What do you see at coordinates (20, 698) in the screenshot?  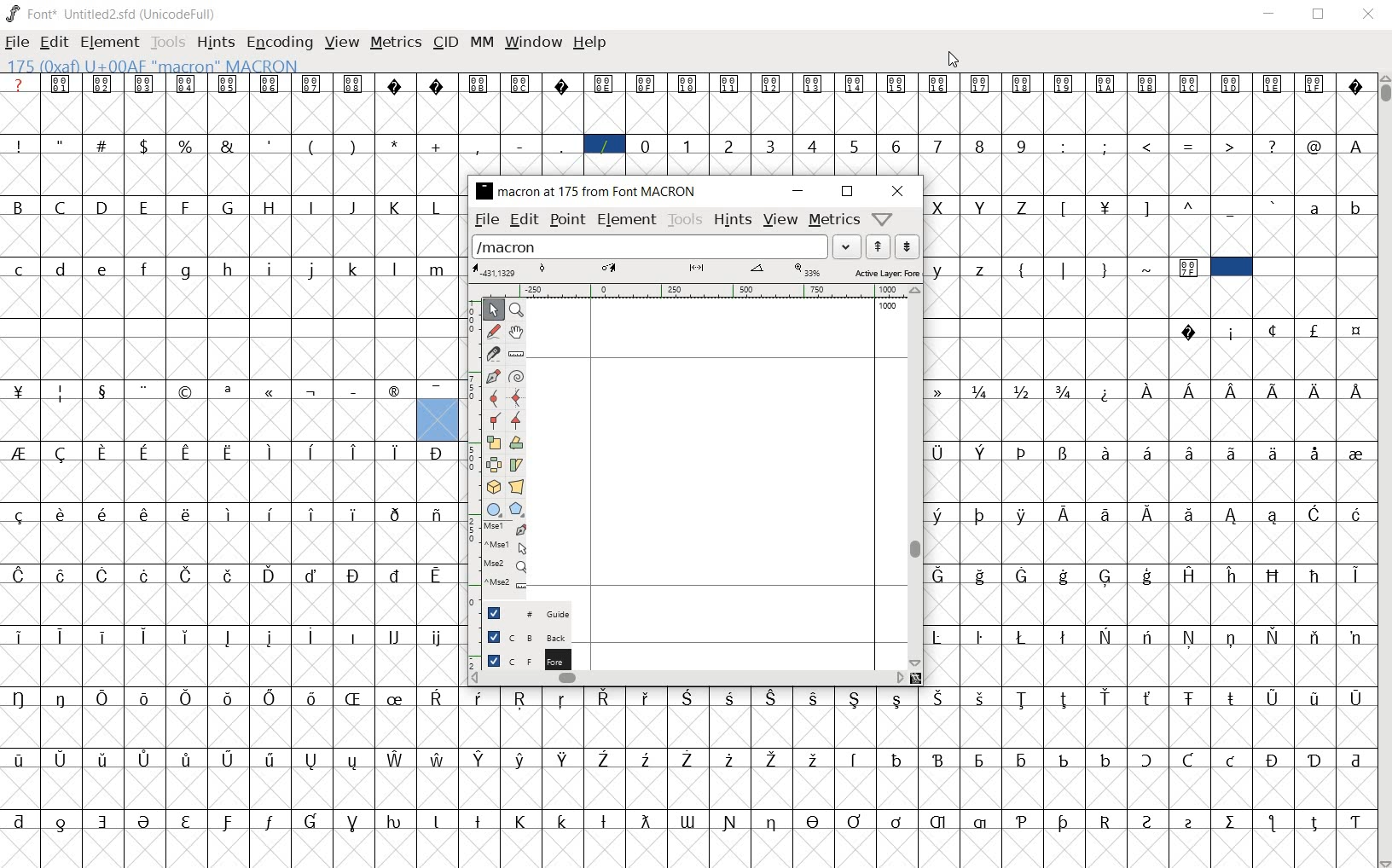 I see `Symbol` at bounding box center [20, 698].